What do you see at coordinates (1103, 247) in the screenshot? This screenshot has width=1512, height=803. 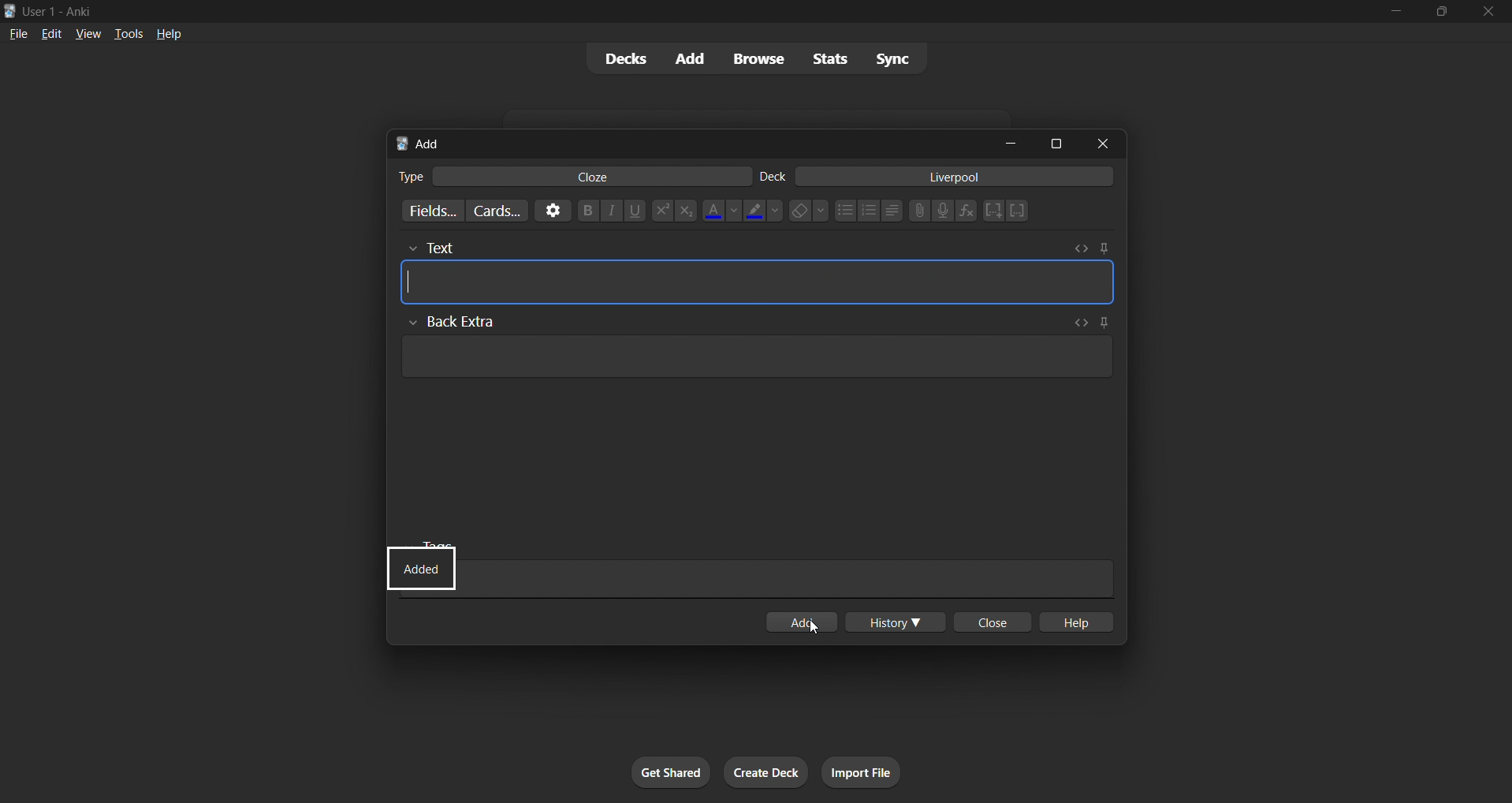 I see `toggle sticky` at bounding box center [1103, 247].